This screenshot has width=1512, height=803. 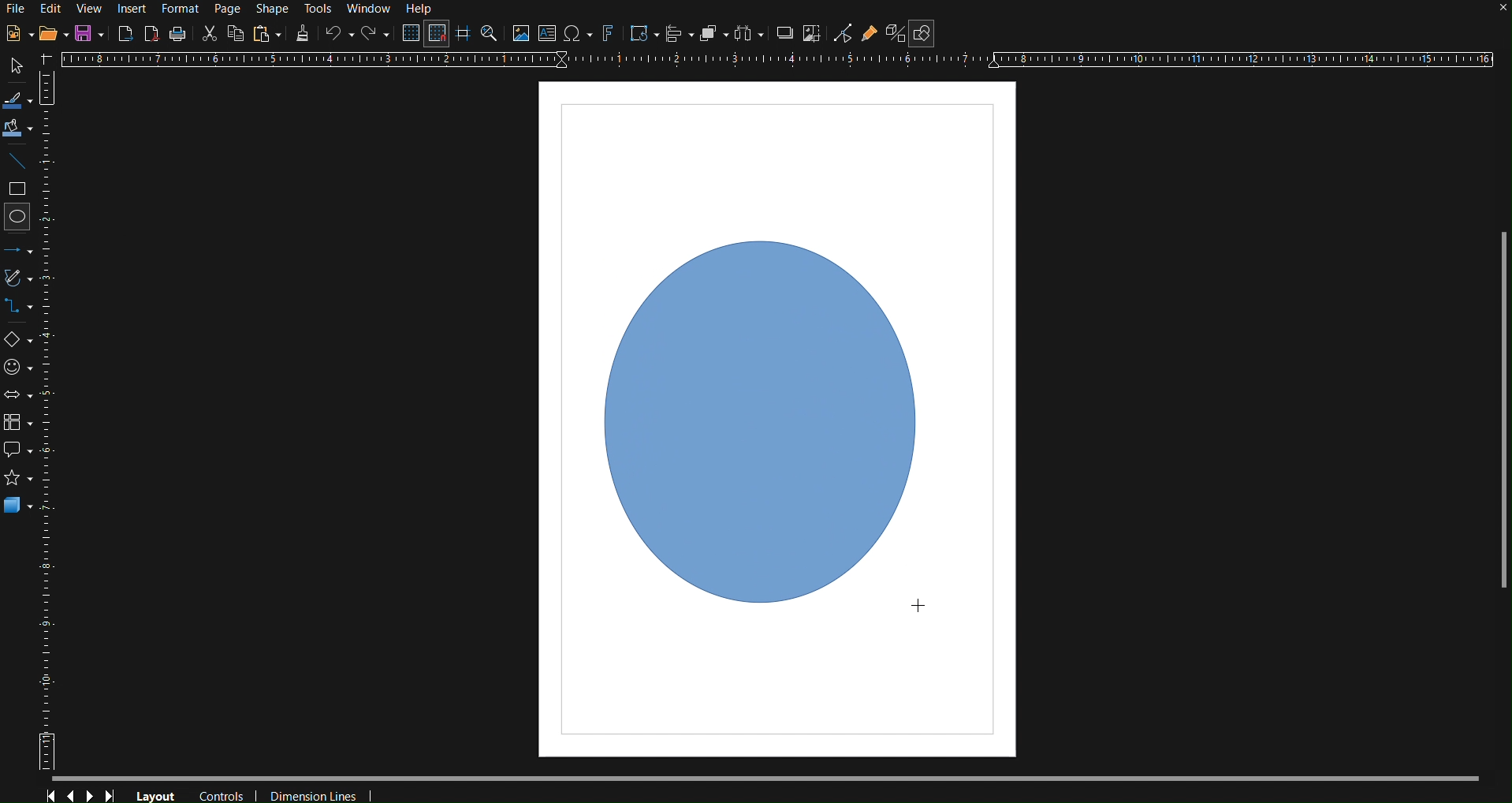 I want to click on Toggle Point Edit Mode, so click(x=843, y=35).